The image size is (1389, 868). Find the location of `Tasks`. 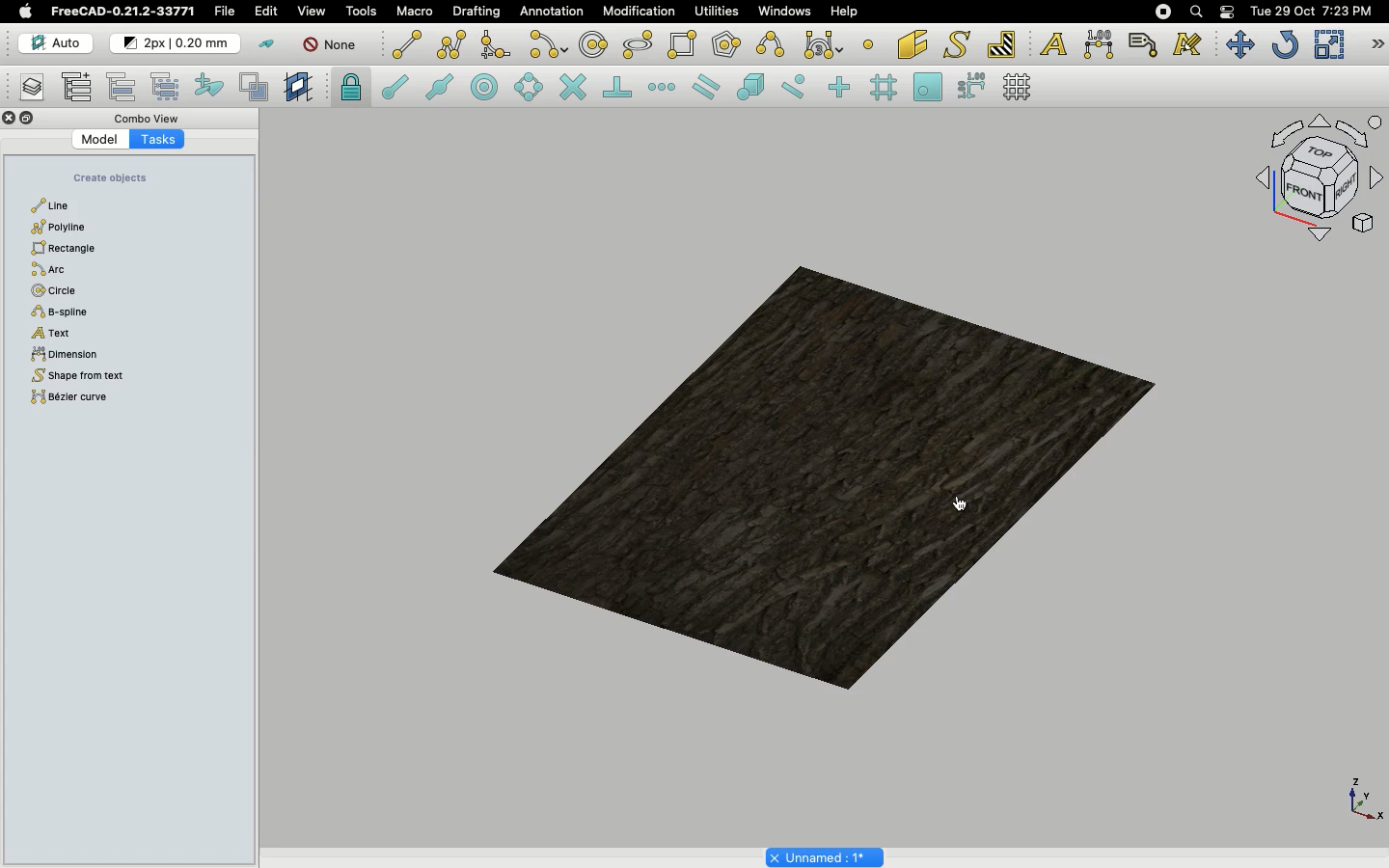

Tasks is located at coordinates (156, 138).